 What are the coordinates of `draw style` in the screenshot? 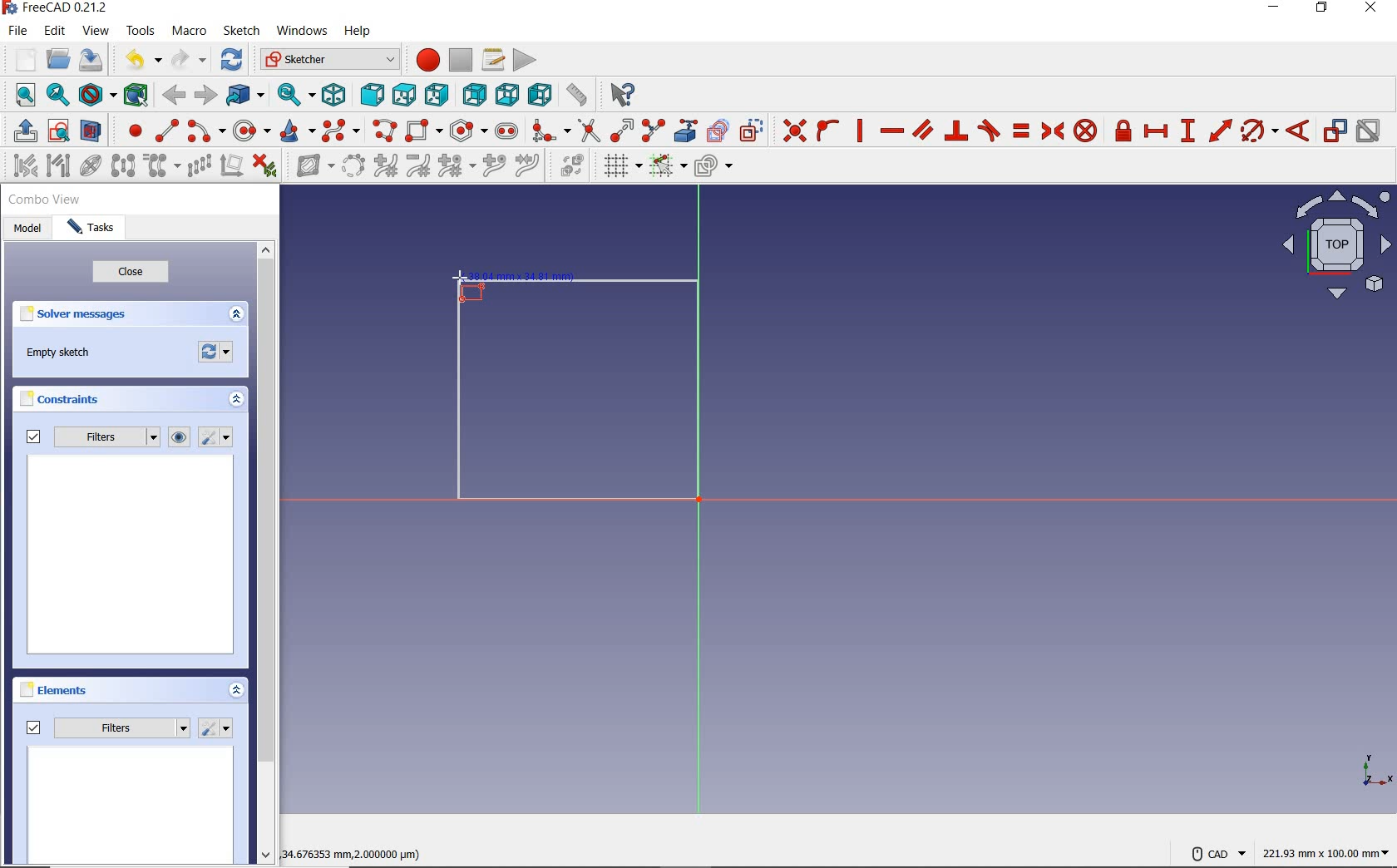 It's located at (96, 94).